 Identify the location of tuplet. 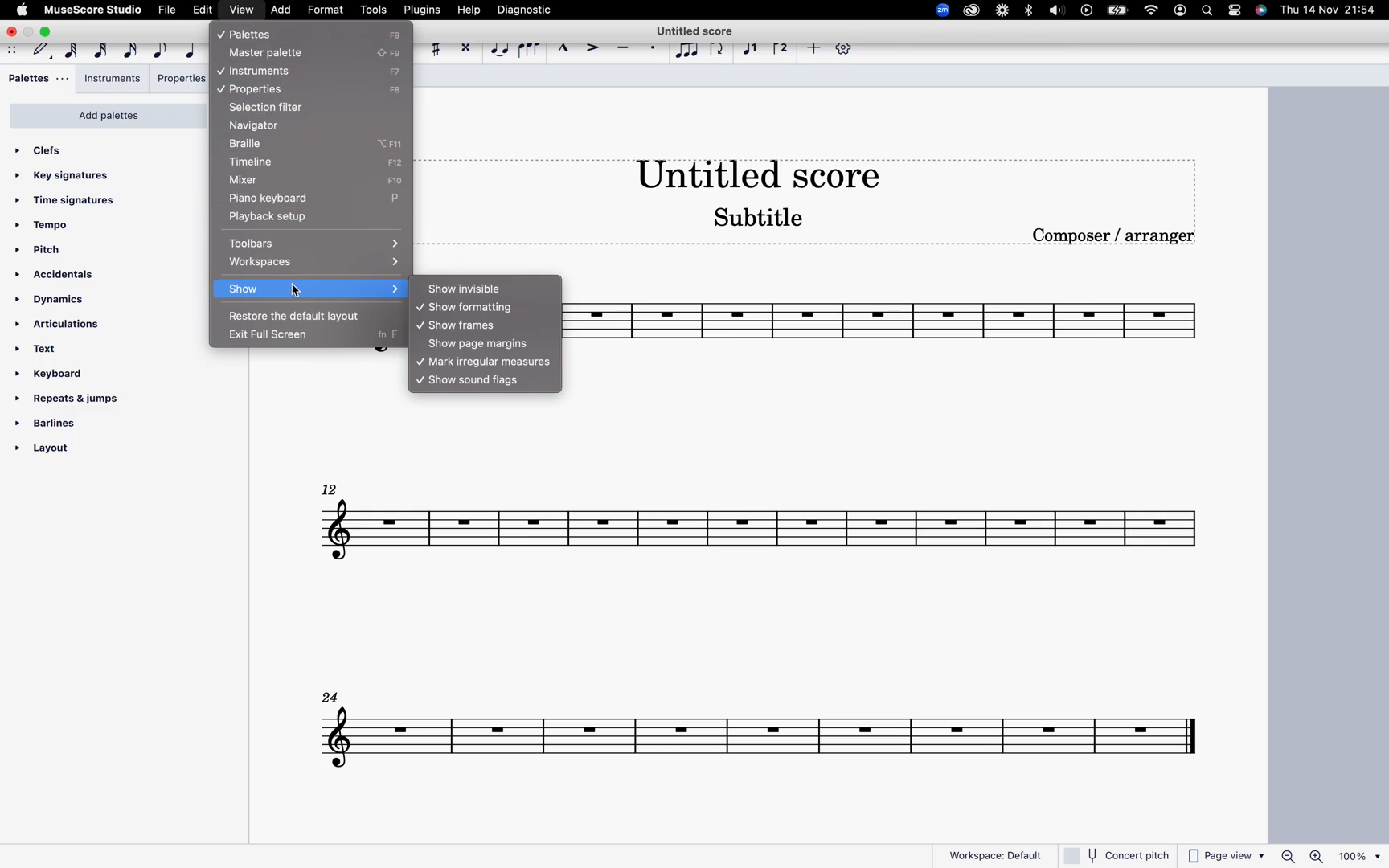
(683, 54).